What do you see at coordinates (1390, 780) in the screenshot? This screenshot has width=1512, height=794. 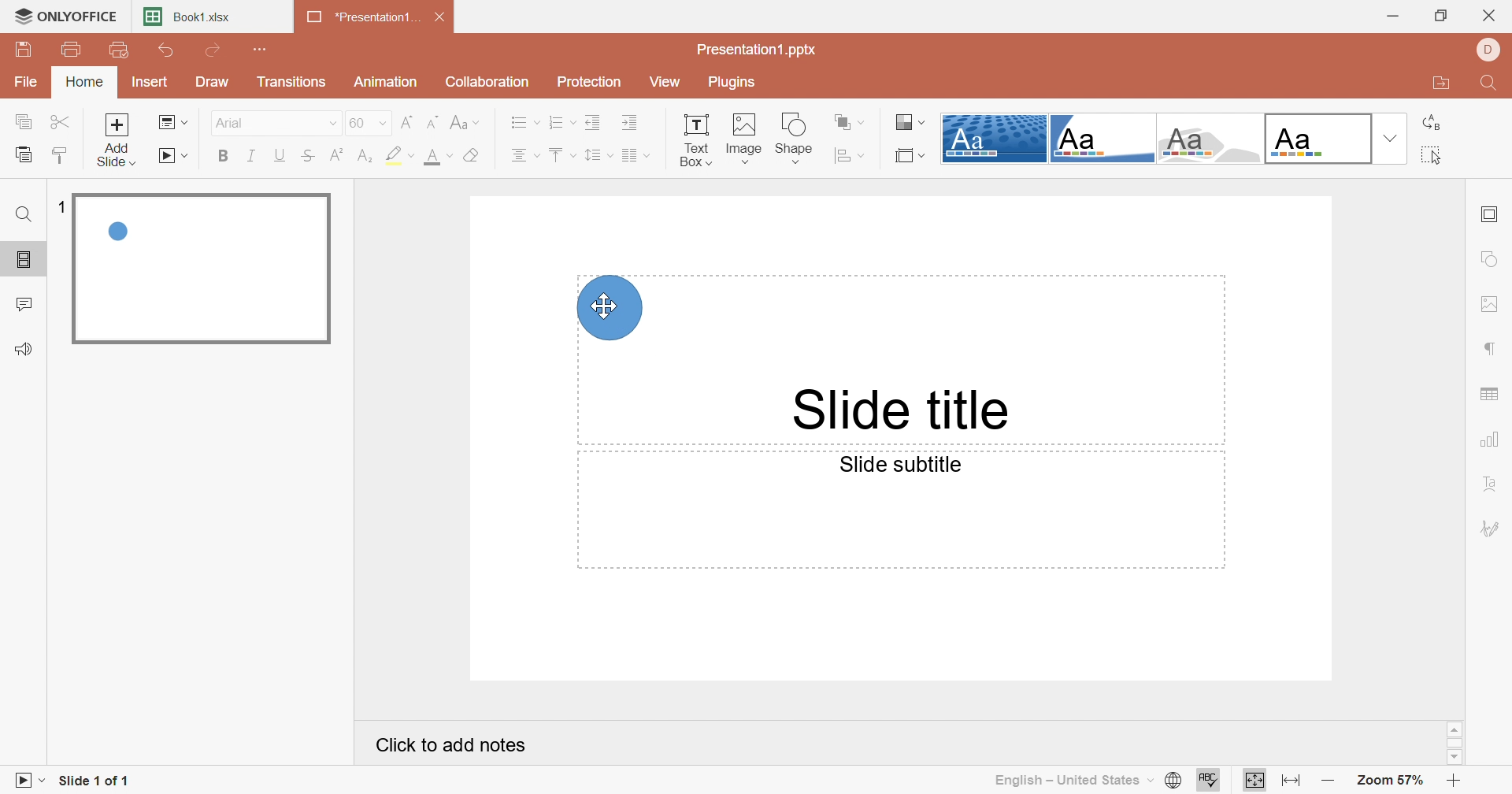 I see `Zoom 57%` at bounding box center [1390, 780].